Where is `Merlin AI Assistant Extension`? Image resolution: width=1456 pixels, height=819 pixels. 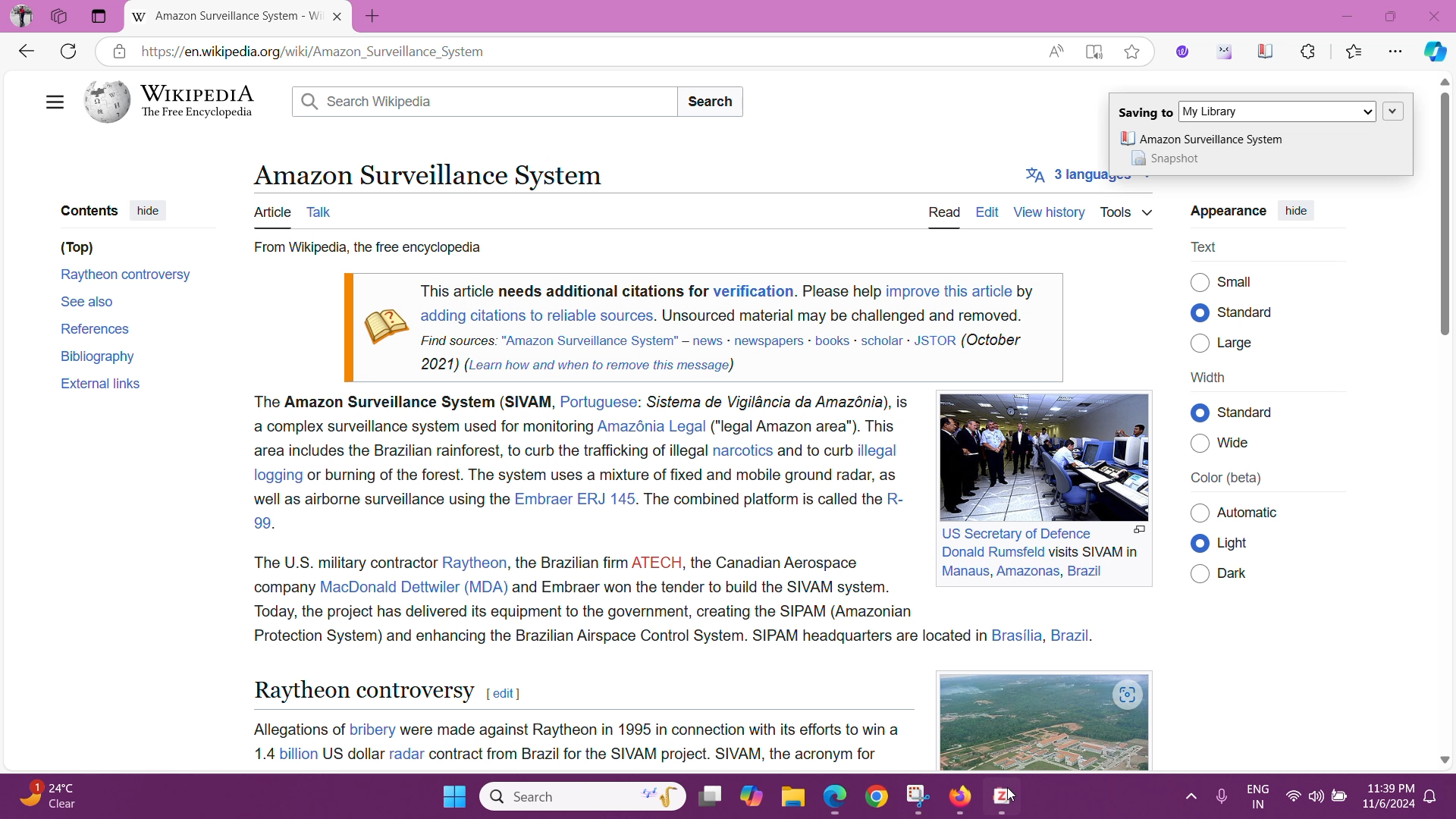
Merlin AI Assistant Extension is located at coordinates (1224, 52).